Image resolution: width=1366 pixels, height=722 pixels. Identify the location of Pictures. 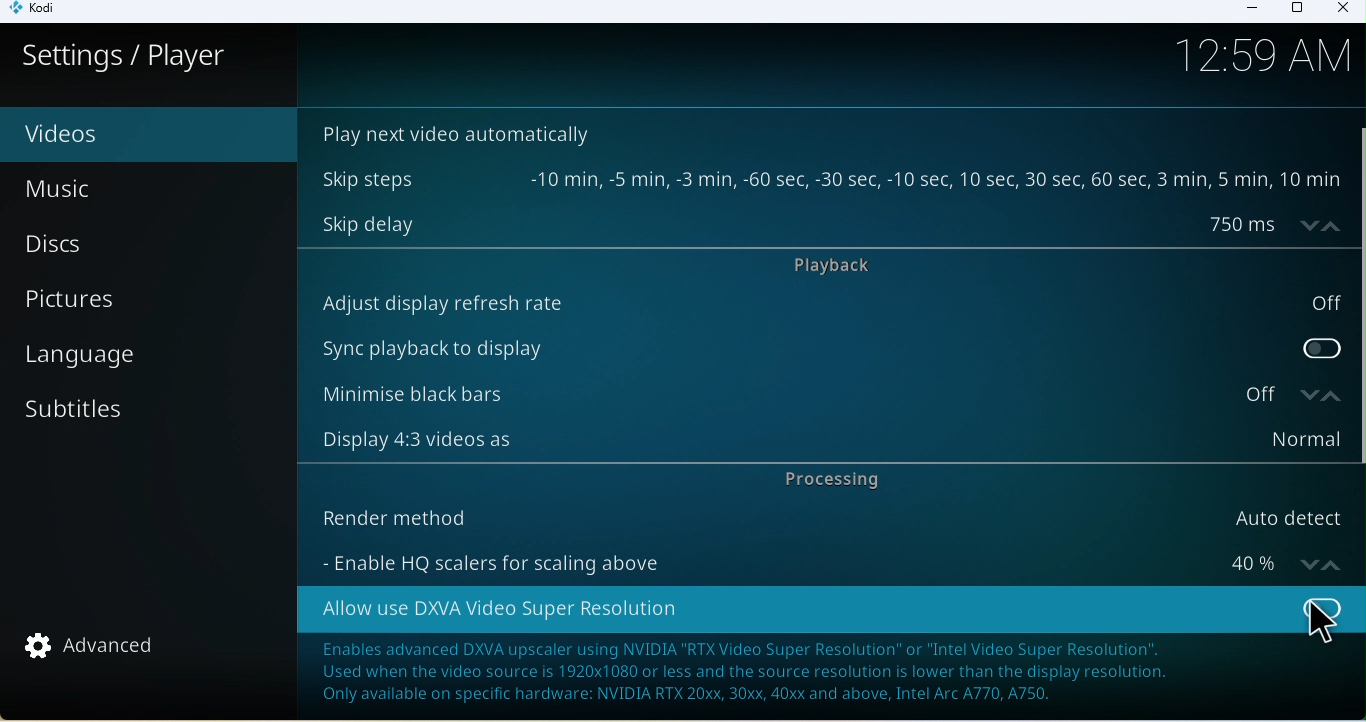
(151, 300).